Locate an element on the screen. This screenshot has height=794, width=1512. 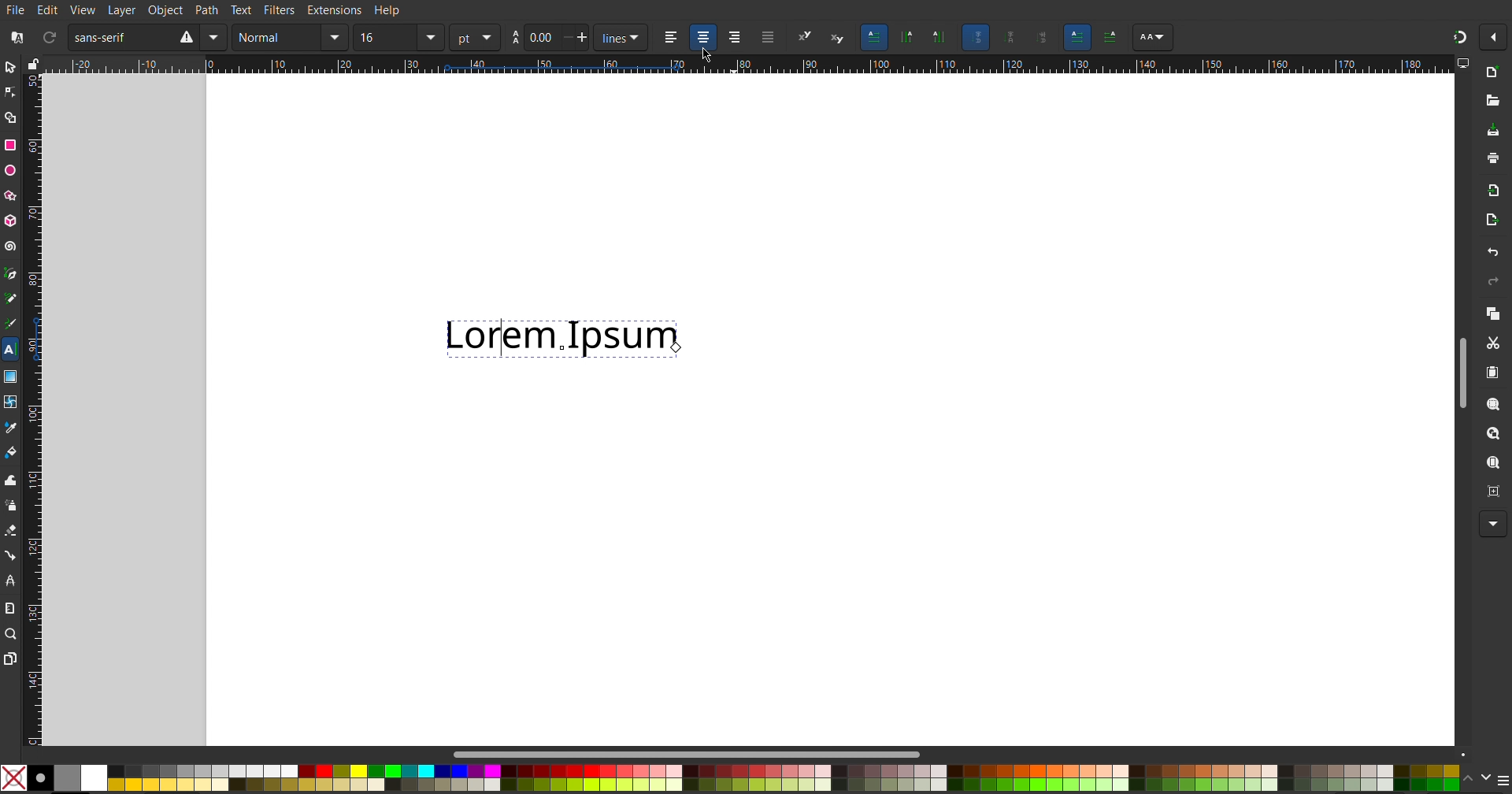
Layer is located at coordinates (124, 11).